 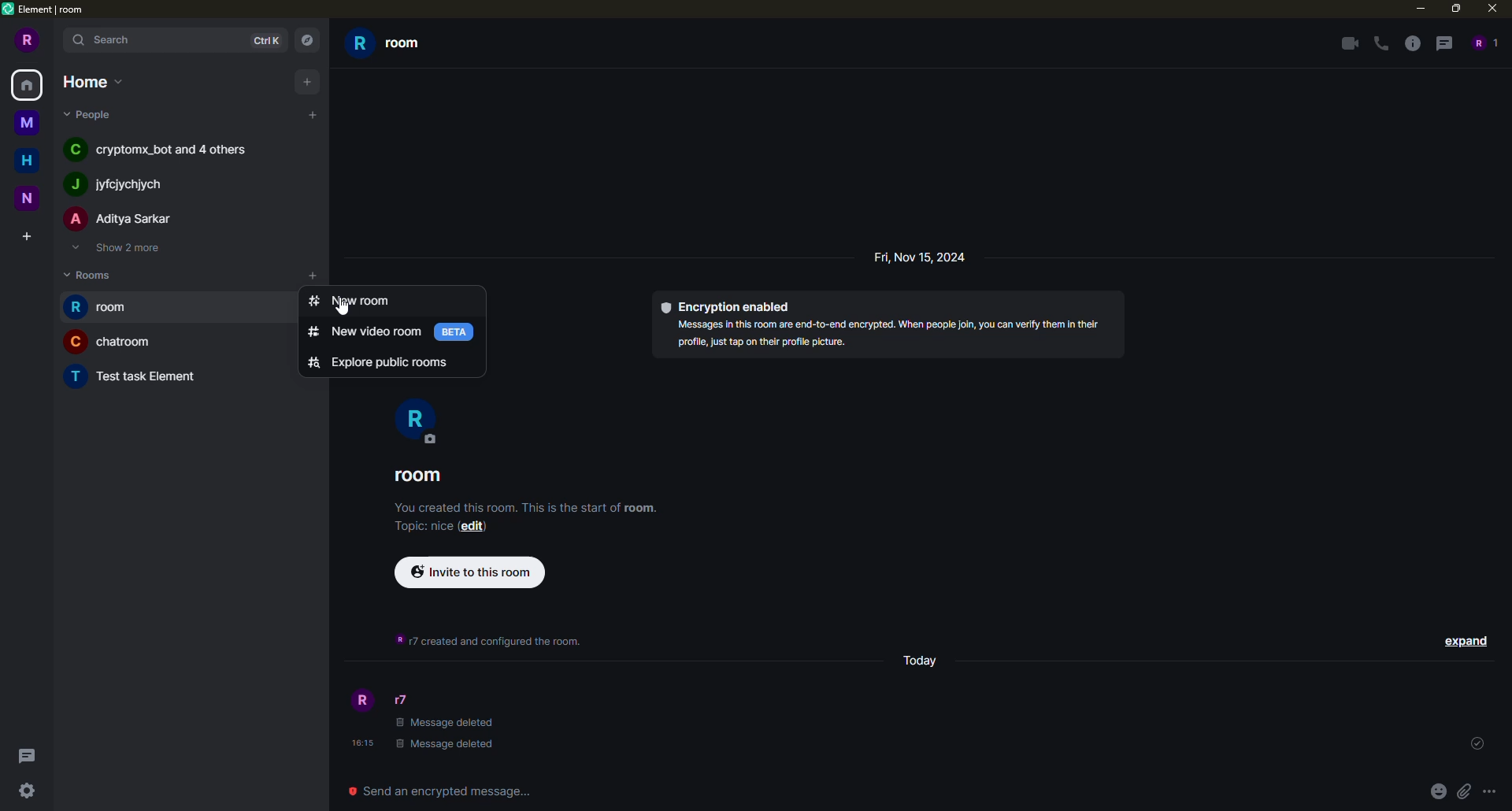 I want to click on add, so click(x=309, y=82).